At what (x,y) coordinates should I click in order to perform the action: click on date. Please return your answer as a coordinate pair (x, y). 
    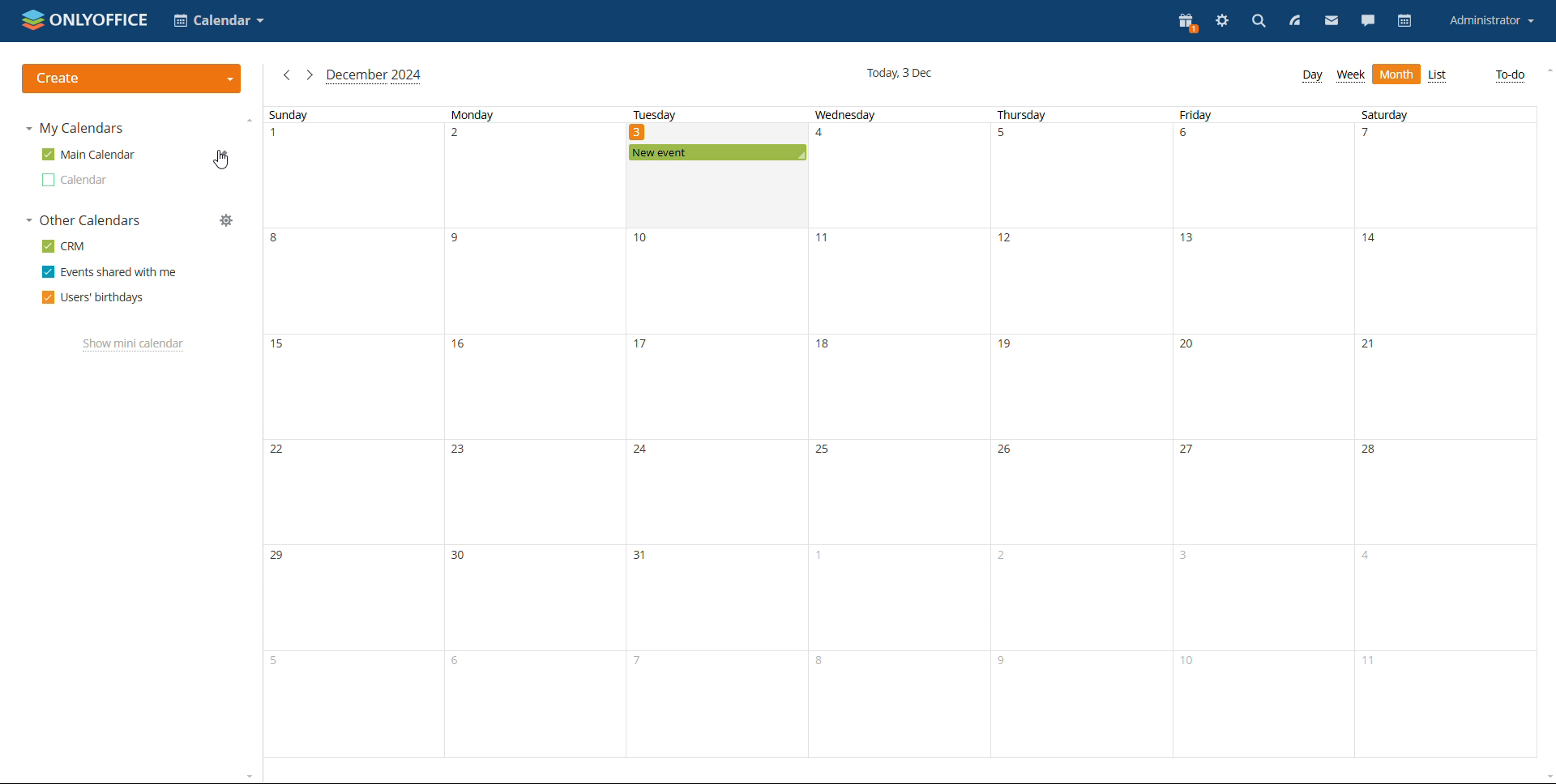
    Looking at the image, I should click on (712, 704).